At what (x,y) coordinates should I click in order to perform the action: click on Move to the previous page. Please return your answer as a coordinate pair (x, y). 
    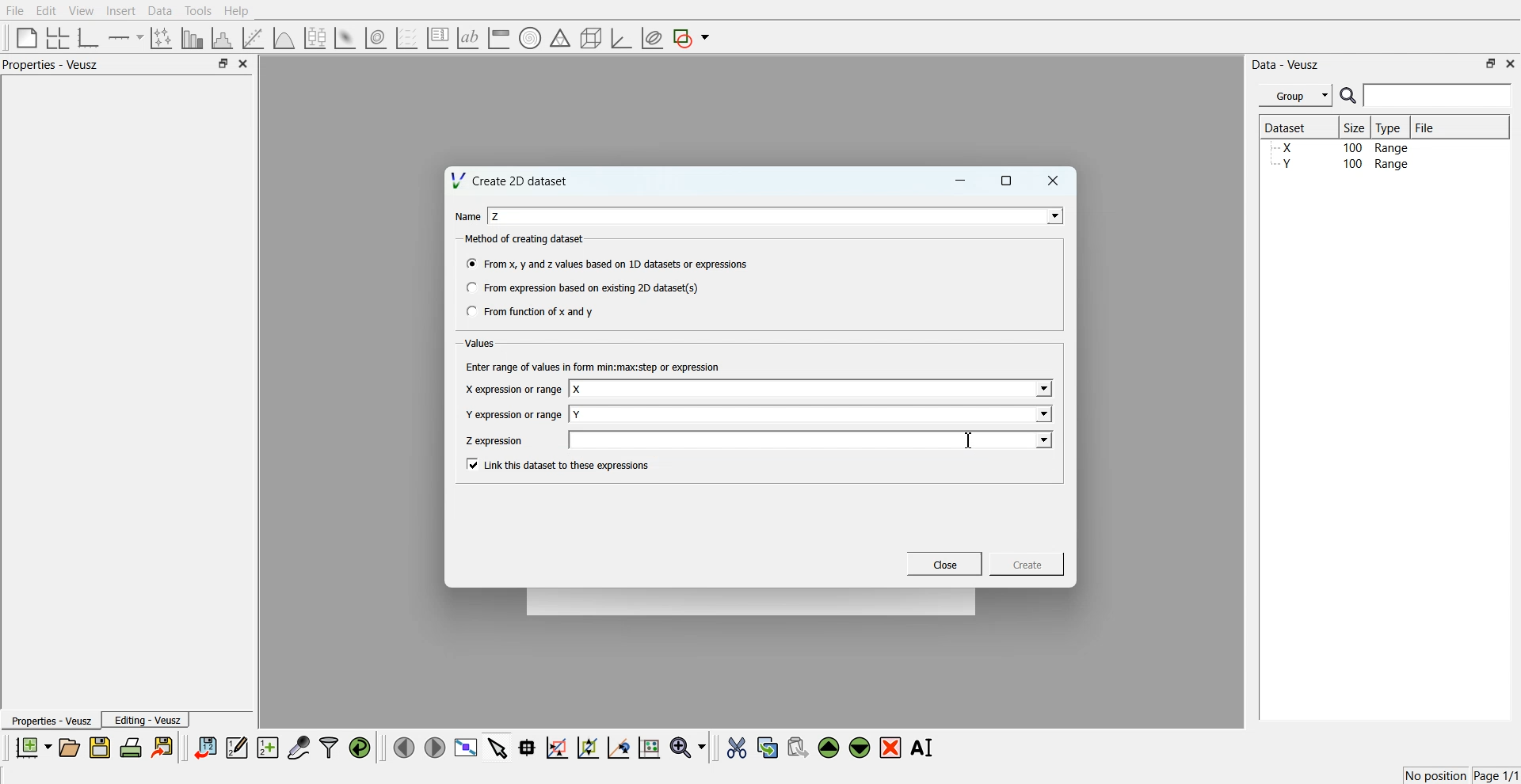
    Looking at the image, I should click on (404, 747).